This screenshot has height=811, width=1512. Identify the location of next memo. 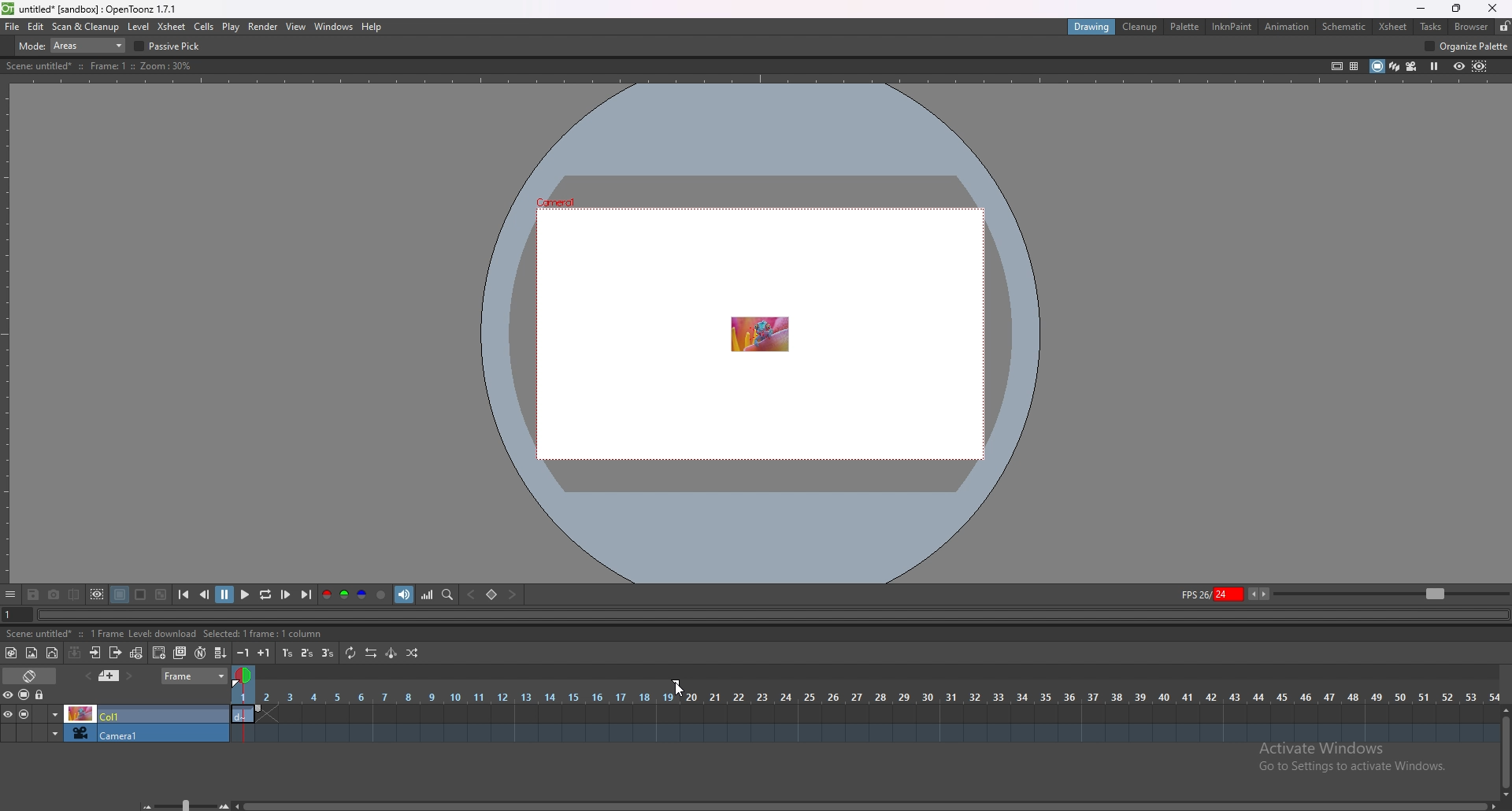
(129, 676).